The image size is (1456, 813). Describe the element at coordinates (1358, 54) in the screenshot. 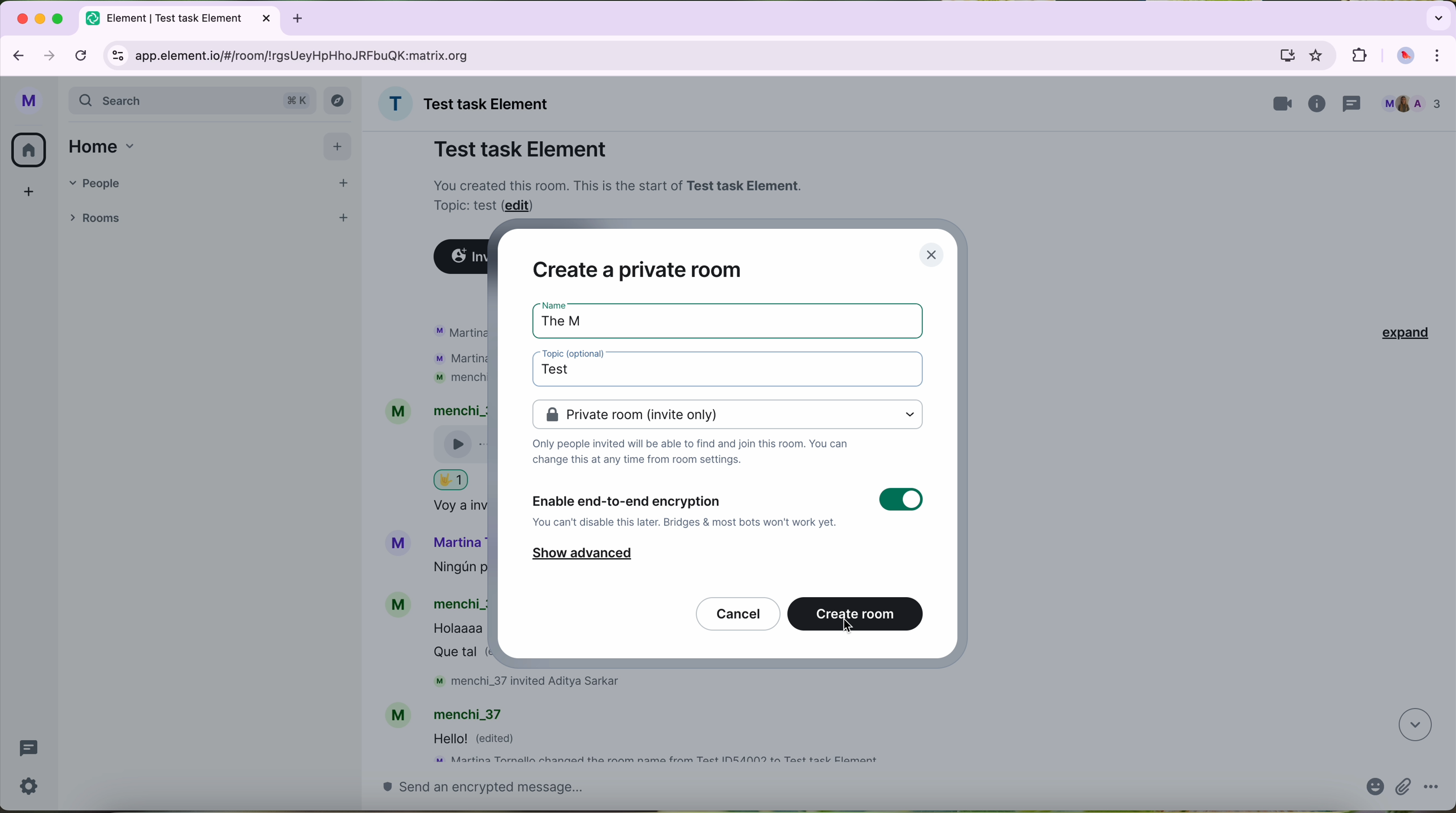

I see `extensions` at that location.